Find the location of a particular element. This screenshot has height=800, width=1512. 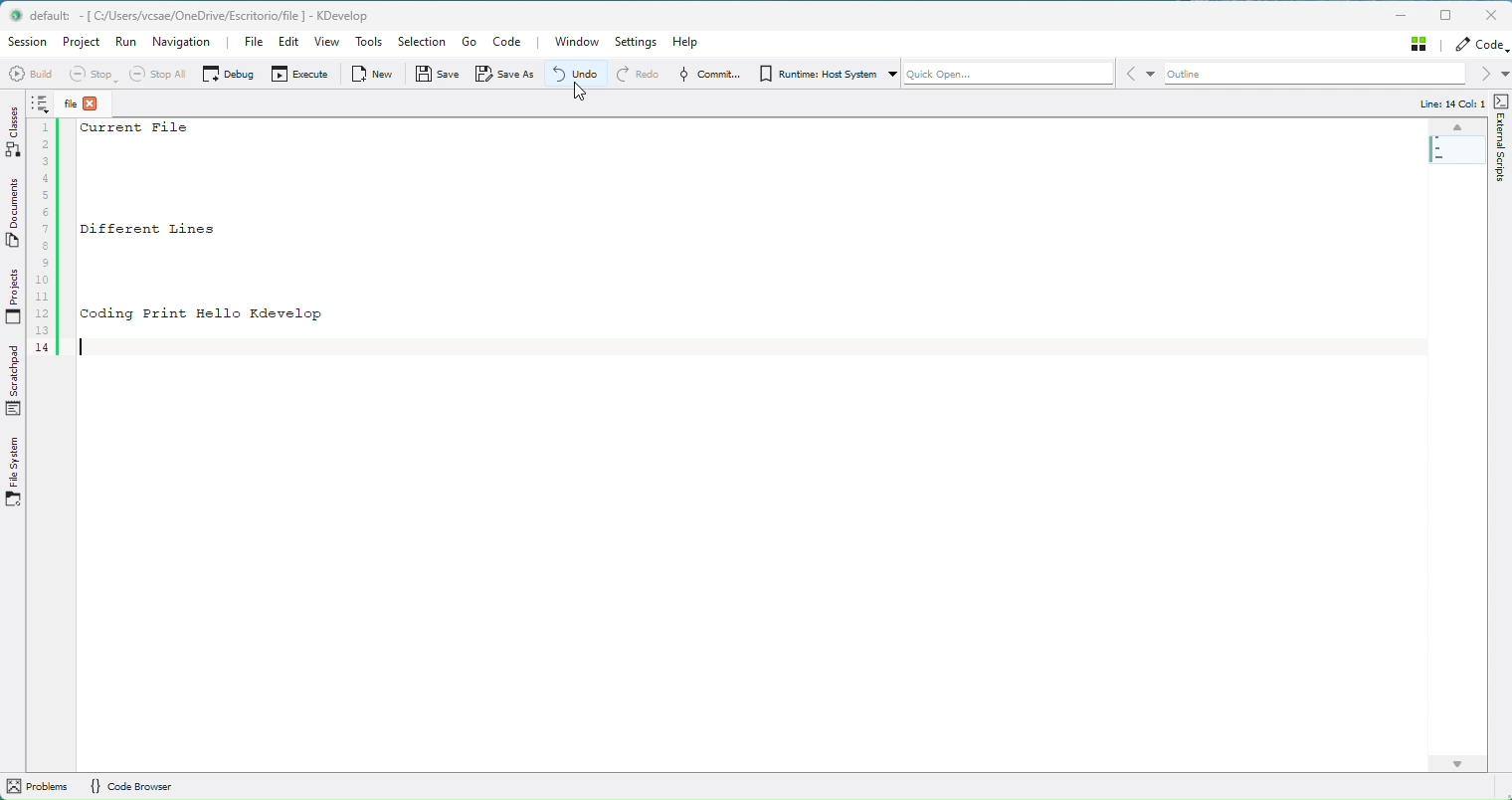

Scrathpad is located at coordinates (14, 376).